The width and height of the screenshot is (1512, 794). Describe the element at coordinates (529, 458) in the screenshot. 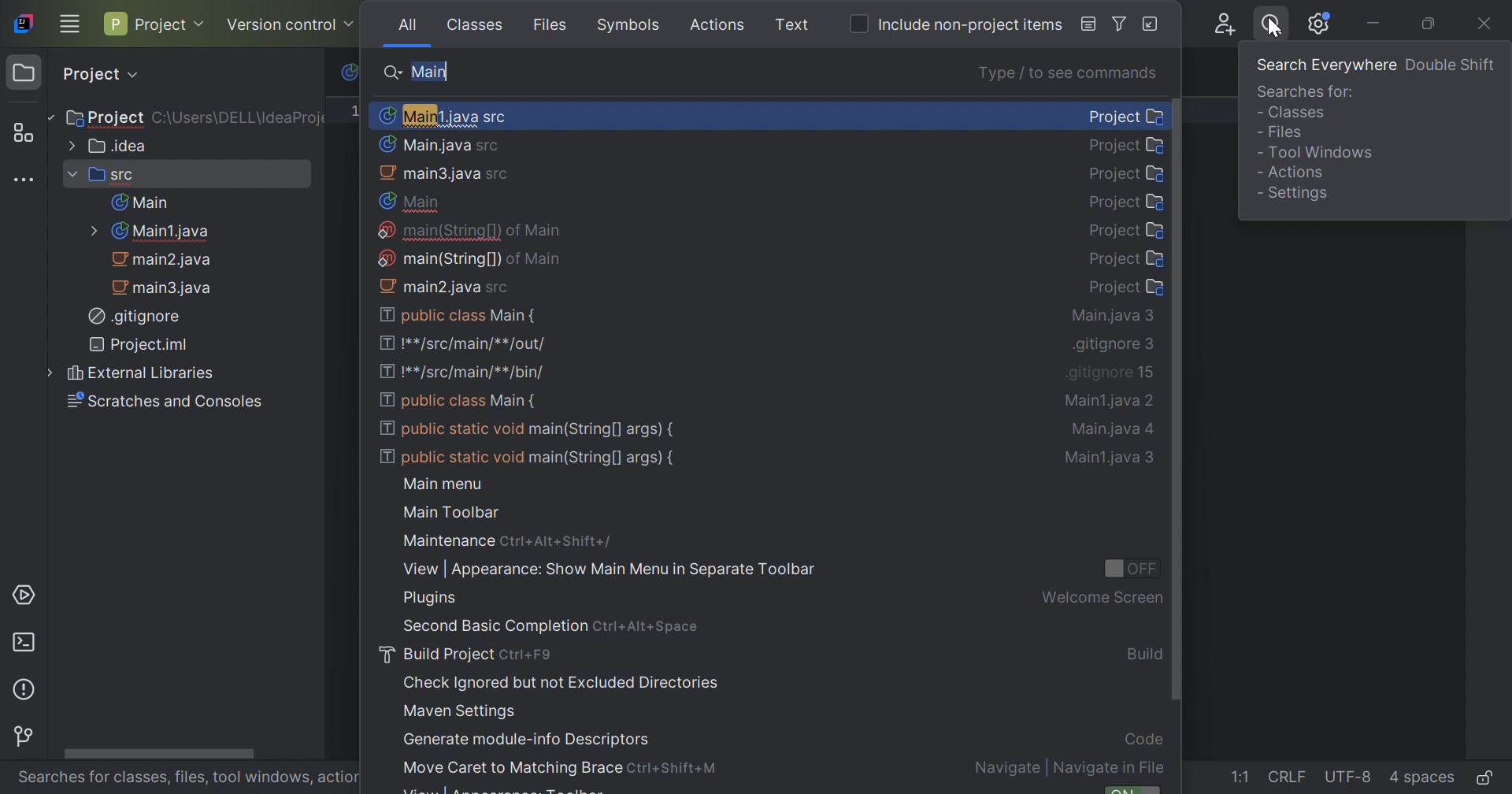

I see `public static void main(String[]args) {` at that location.